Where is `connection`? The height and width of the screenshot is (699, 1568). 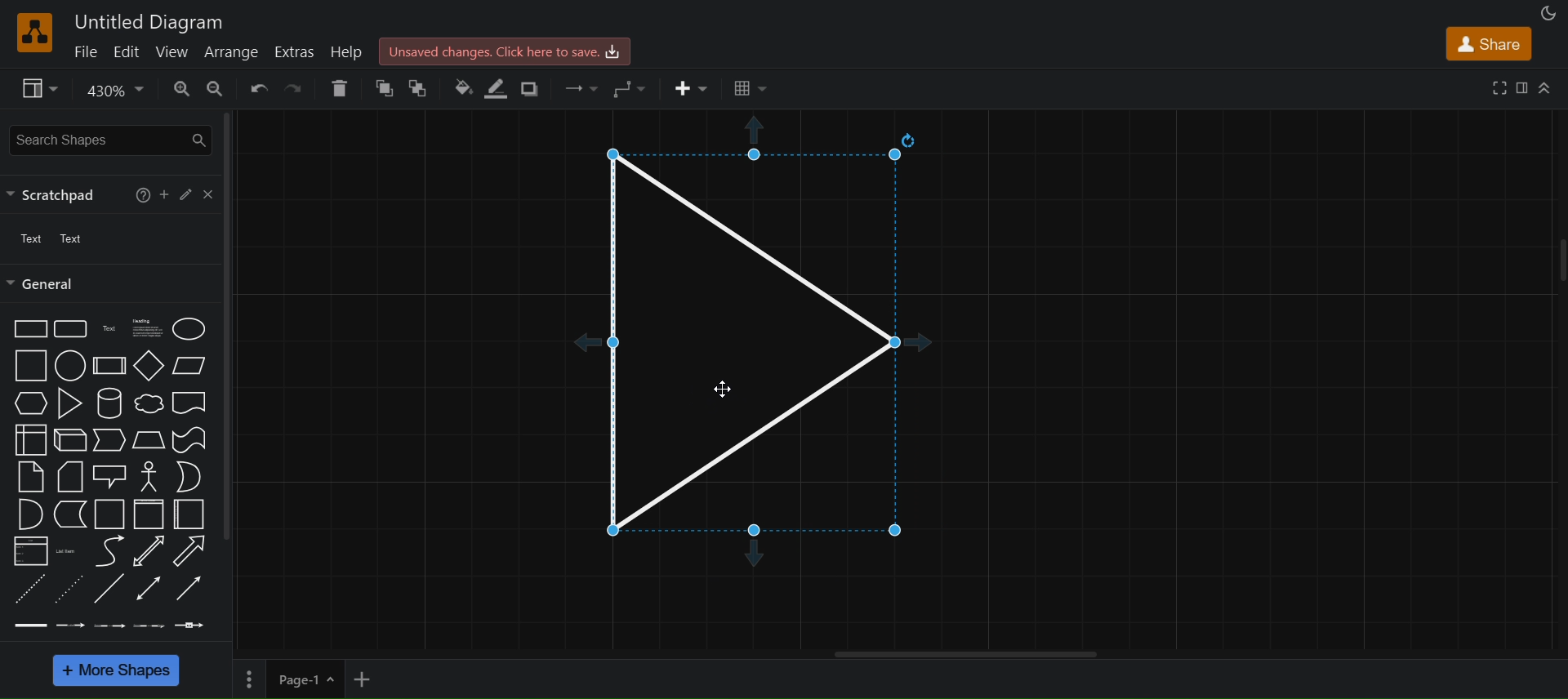
connection is located at coordinates (581, 85).